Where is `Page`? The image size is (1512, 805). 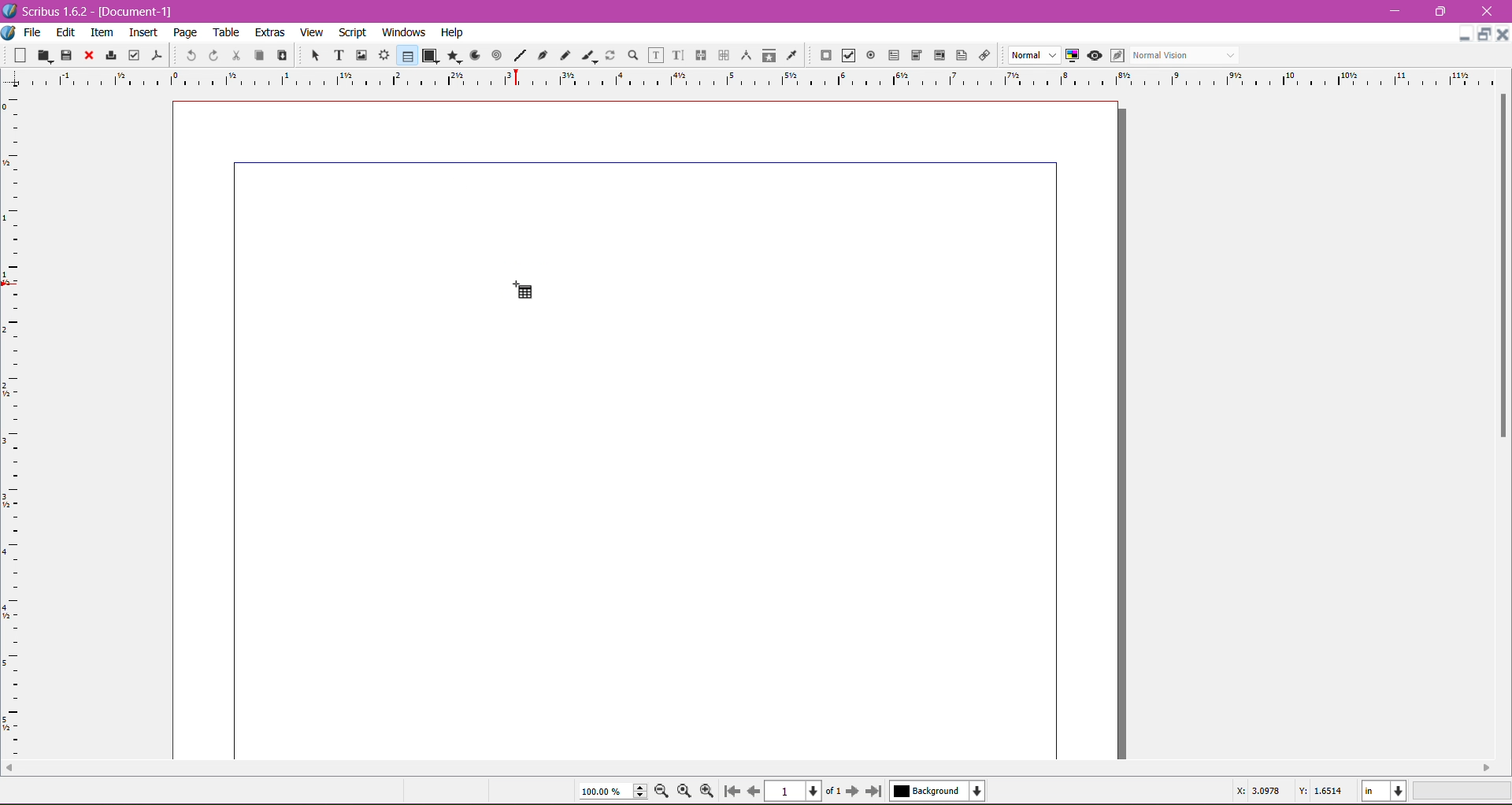 Page is located at coordinates (183, 32).